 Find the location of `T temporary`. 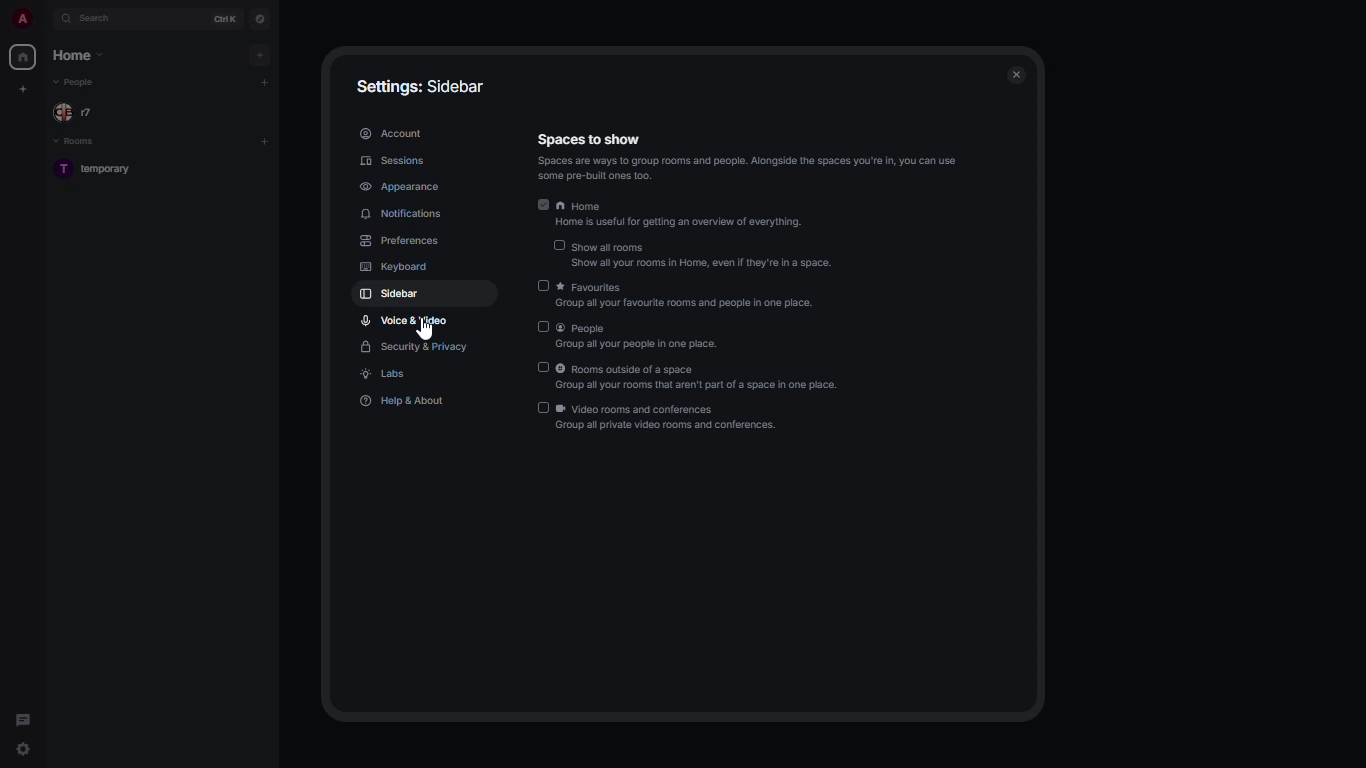

T temporary is located at coordinates (93, 172).